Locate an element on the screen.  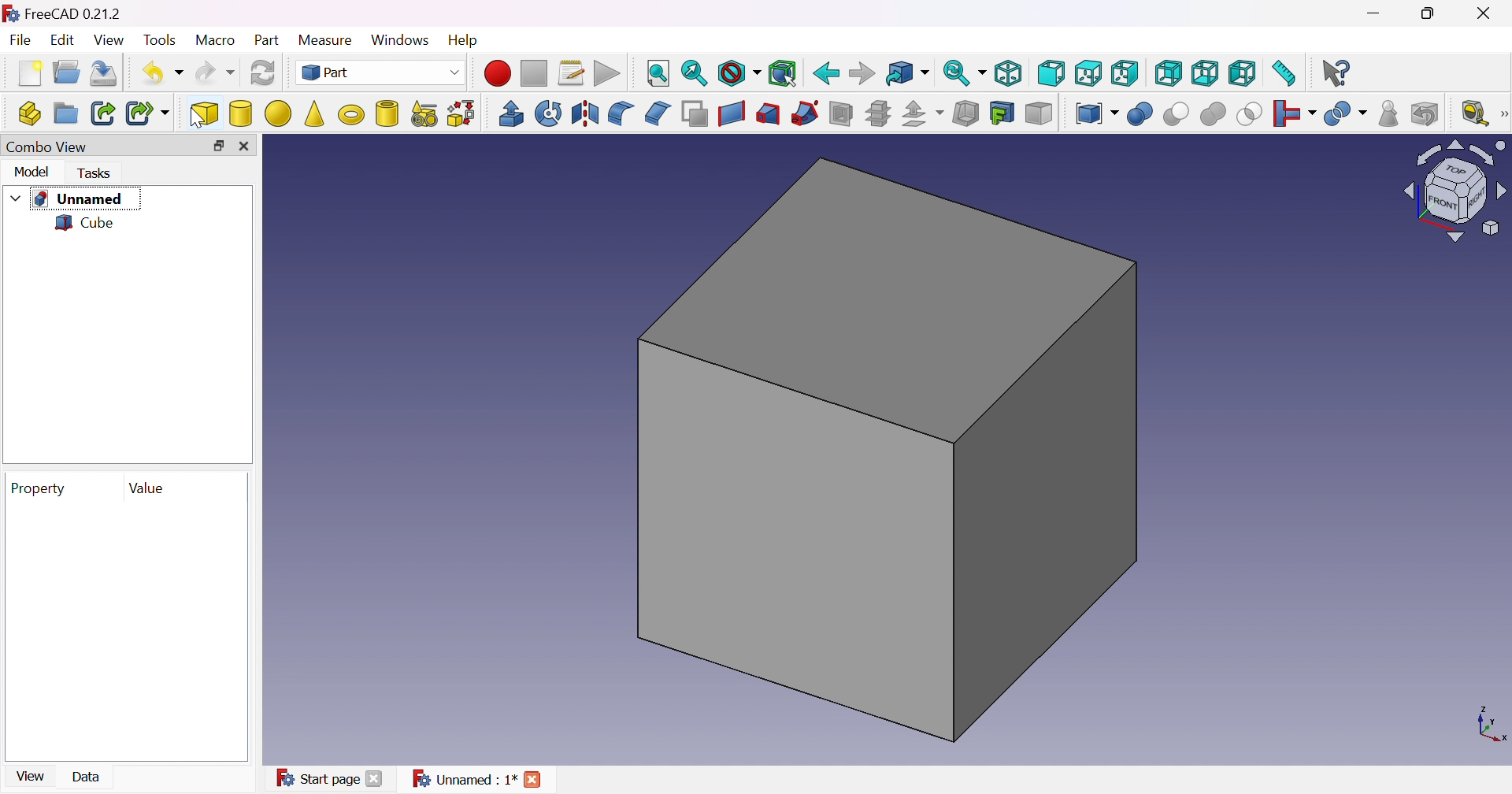
Drop down is located at coordinates (14, 197).